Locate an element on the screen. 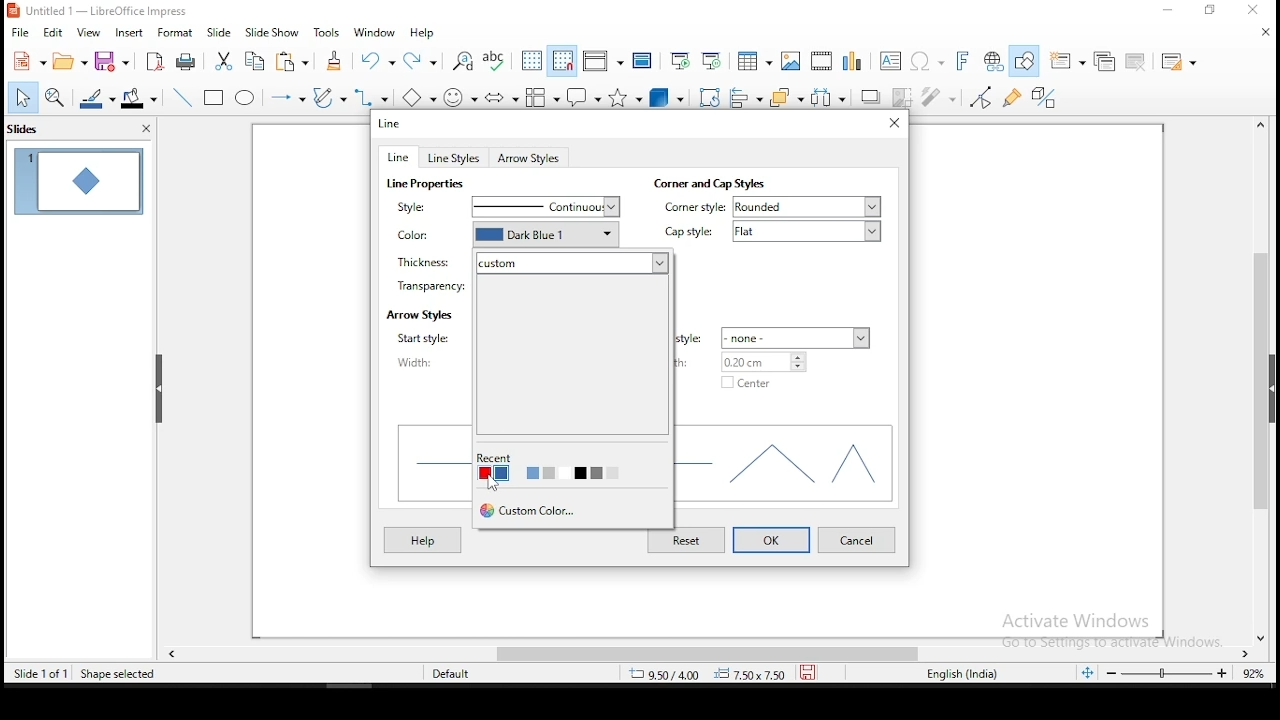 This screenshot has width=1280, height=720. start style is located at coordinates (432, 337).